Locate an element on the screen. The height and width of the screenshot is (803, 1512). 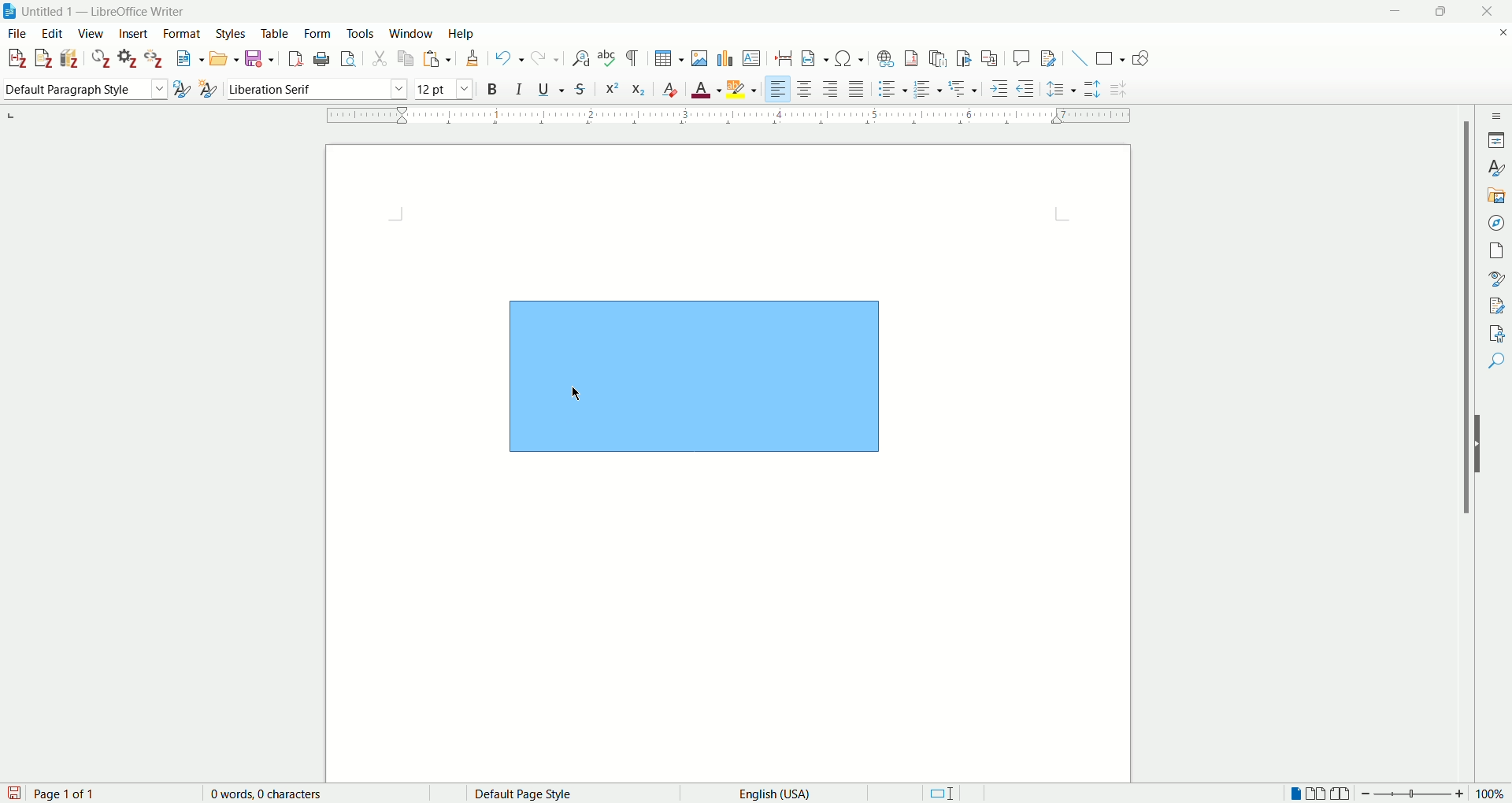
style inspector is located at coordinates (1495, 278).